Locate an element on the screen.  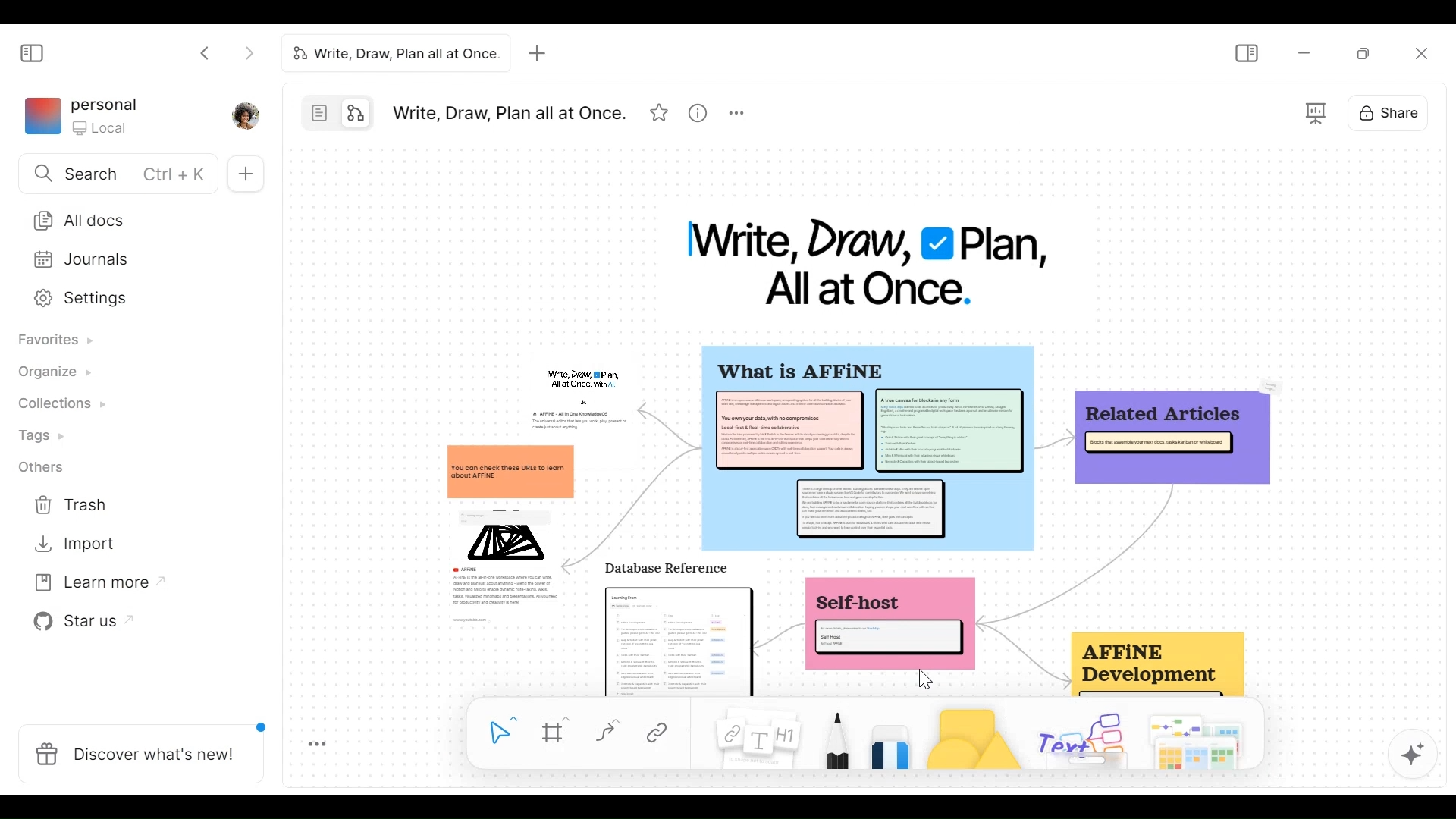
Enhance using AI is located at coordinates (1412, 755).